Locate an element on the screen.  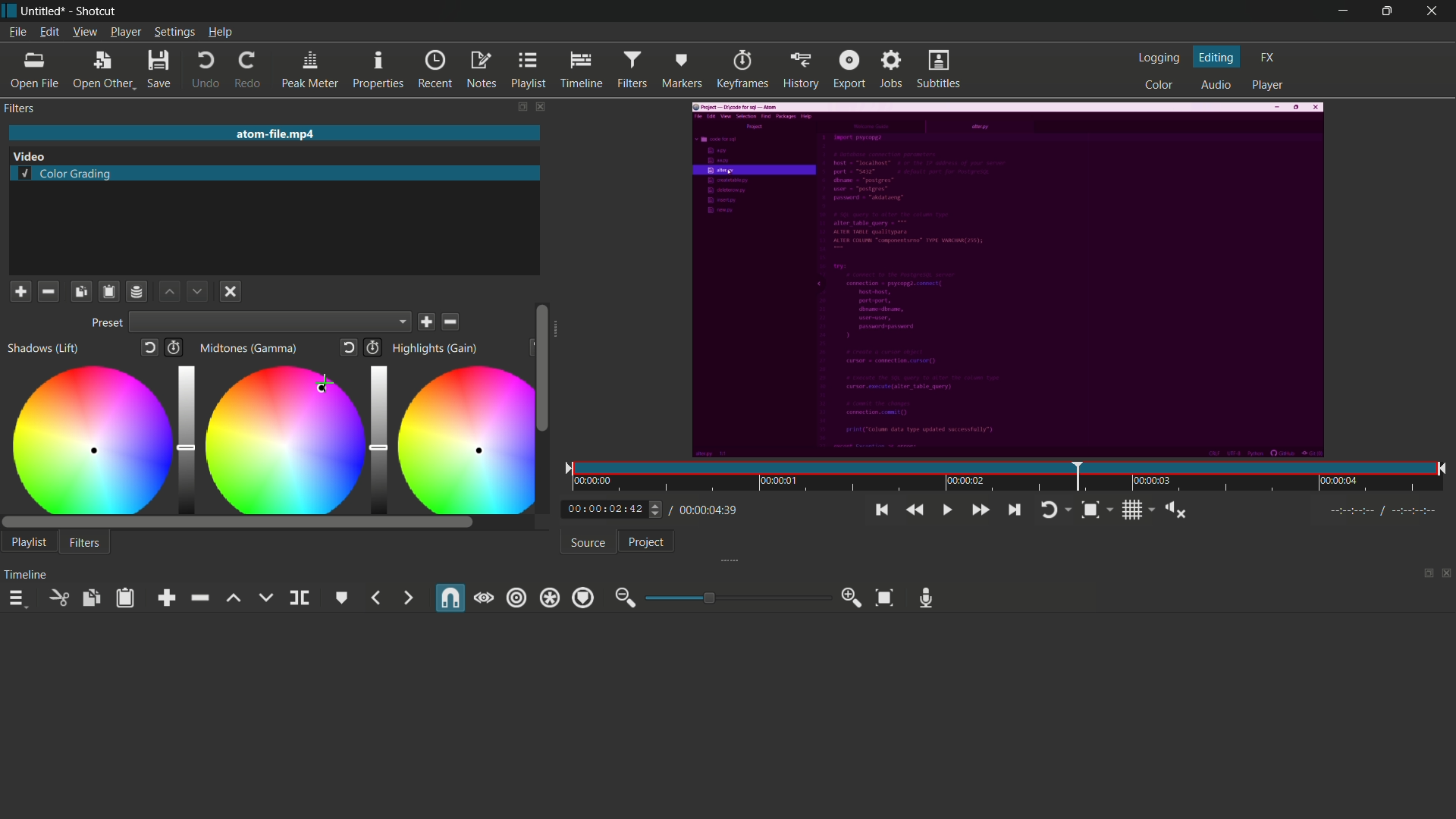
cursor is located at coordinates (324, 384).